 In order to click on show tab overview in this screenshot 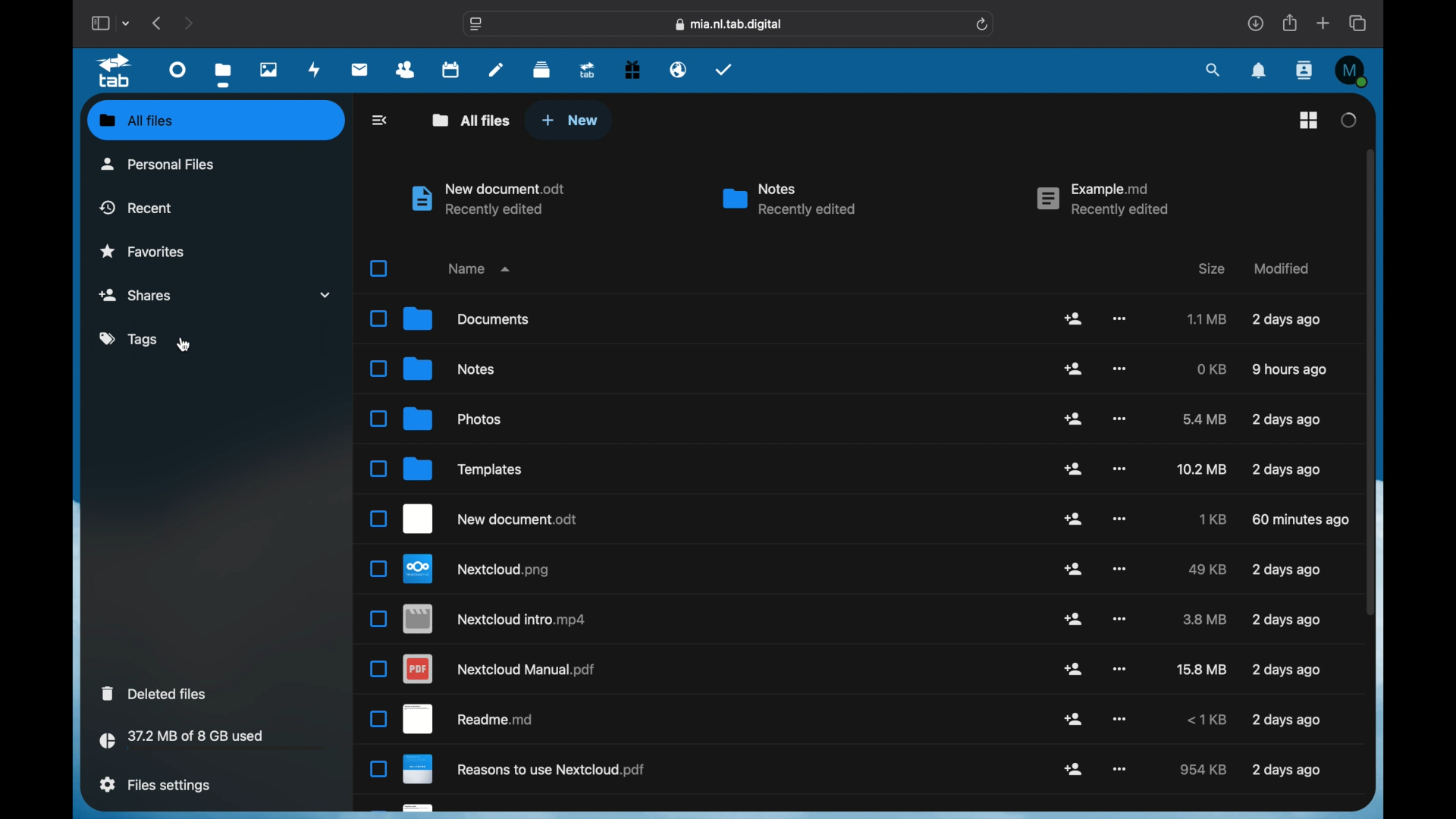, I will do `click(1360, 23)`.